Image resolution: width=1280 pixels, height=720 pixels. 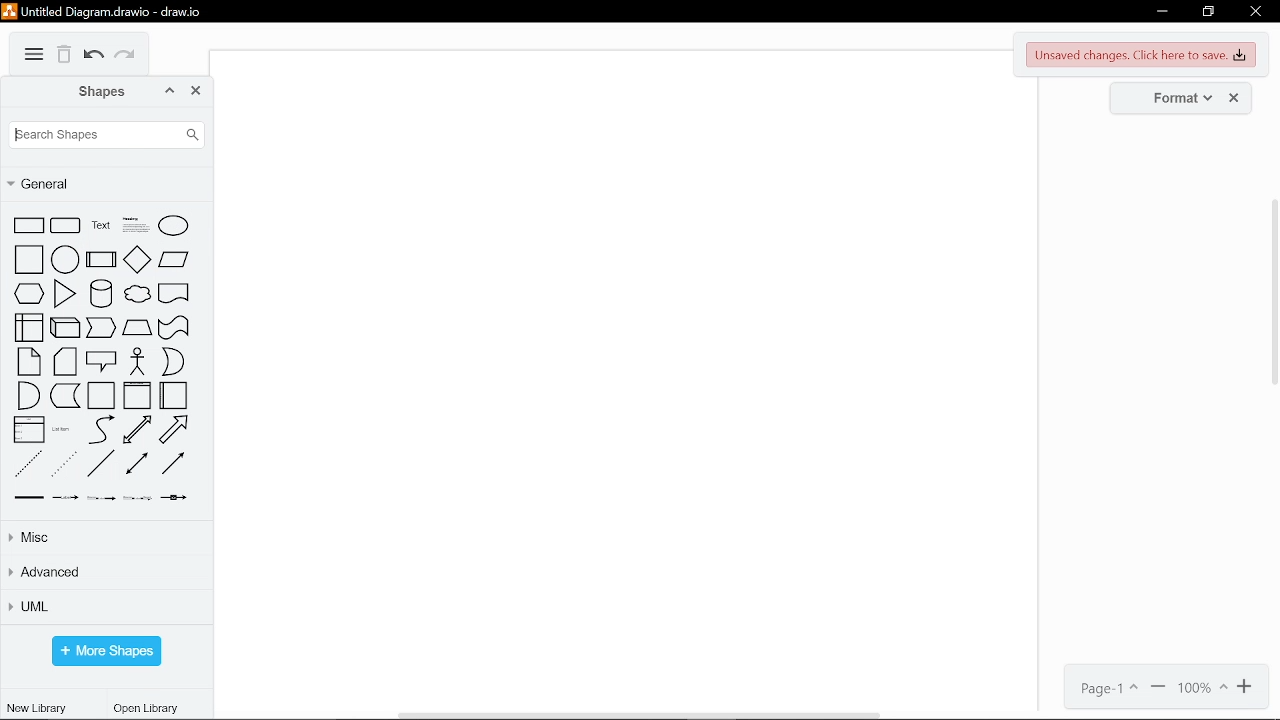 What do you see at coordinates (1208, 13) in the screenshot?
I see `restore down` at bounding box center [1208, 13].